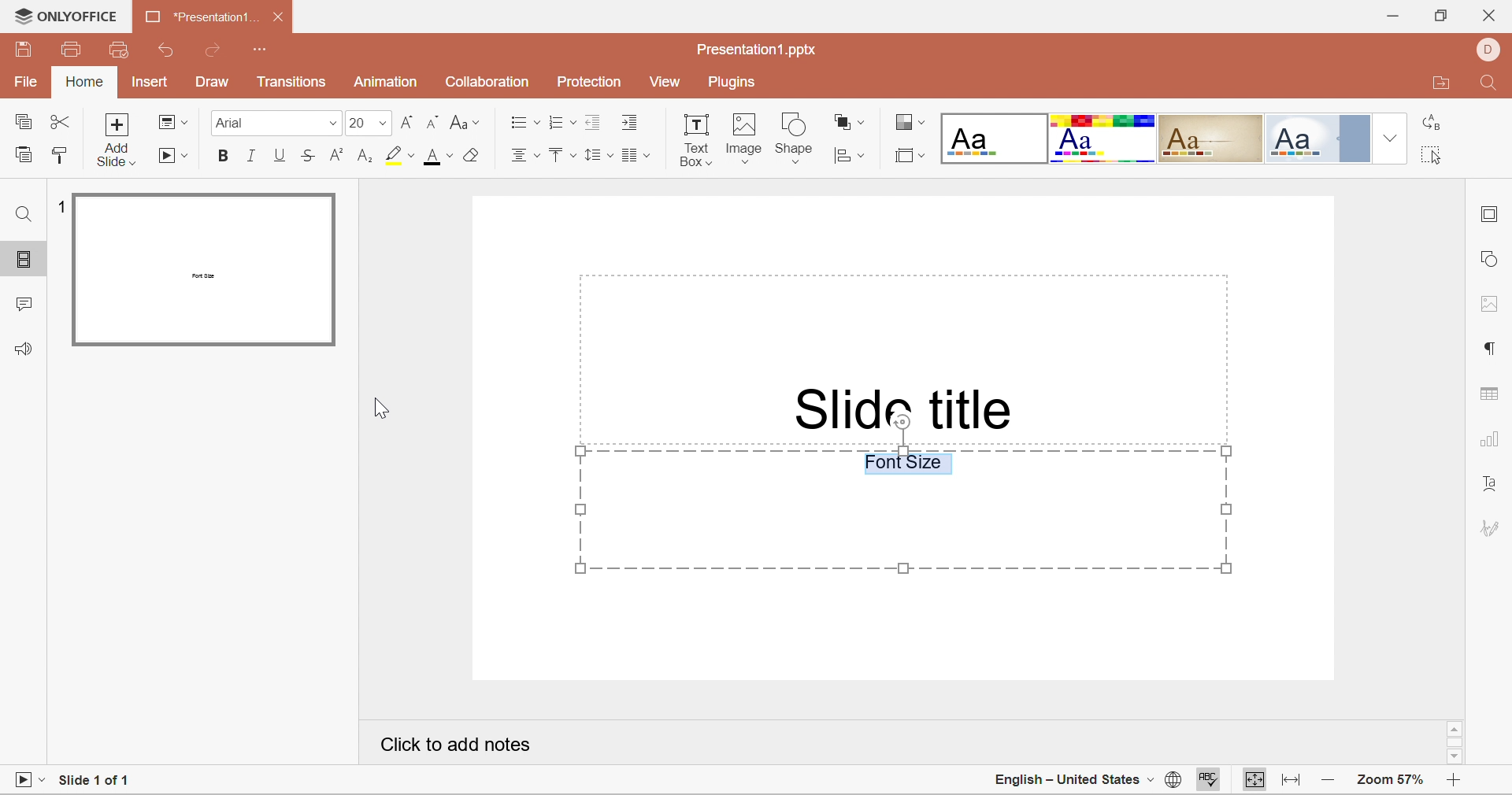 This screenshot has width=1512, height=795. I want to click on Underline, so click(280, 155).